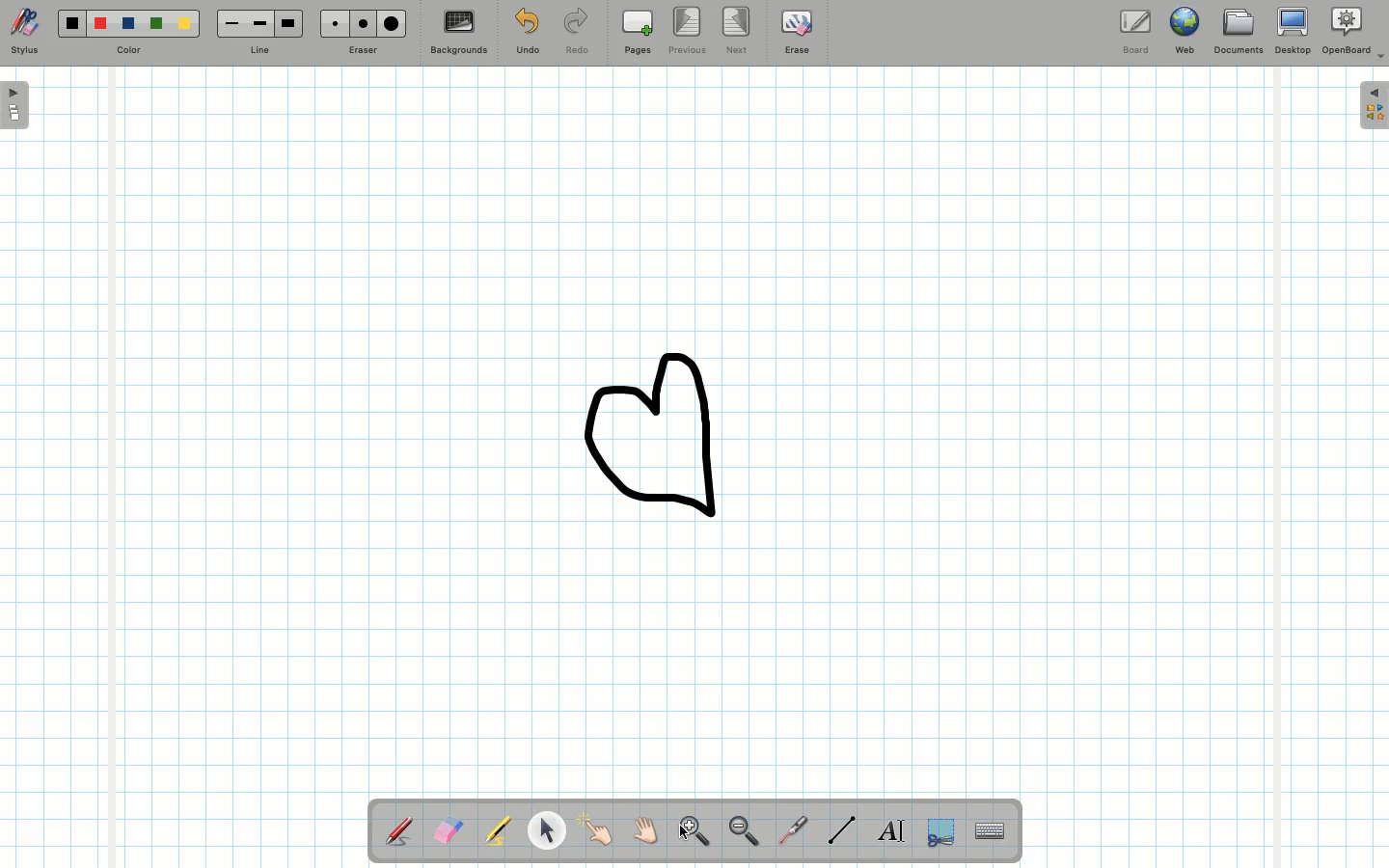 The width and height of the screenshot is (1389, 868). Describe the element at coordinates (1374, 106) in the screenshot. I see `Expand folder` at that location.